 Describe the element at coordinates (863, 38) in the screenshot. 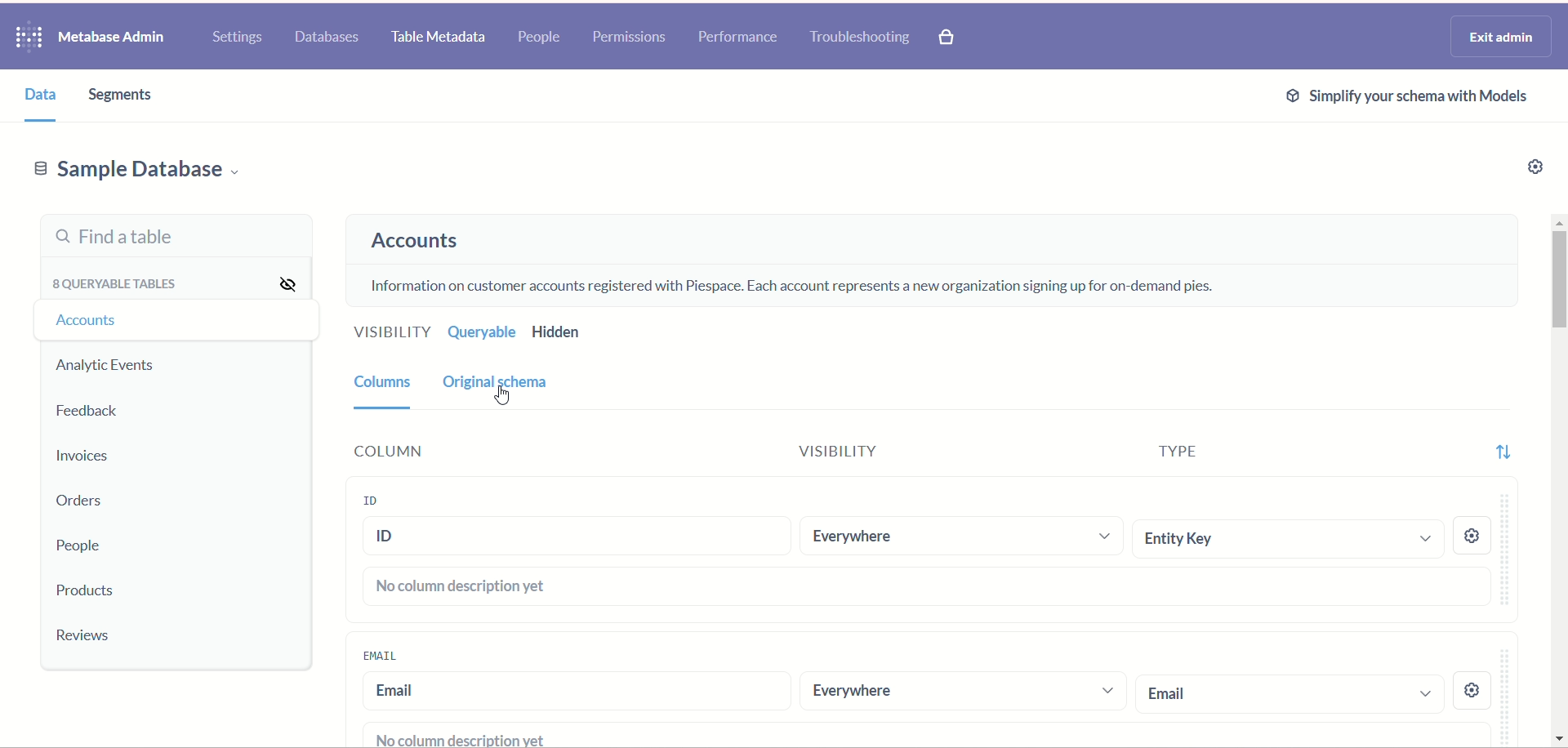

I see `troubleshooting` at that location.